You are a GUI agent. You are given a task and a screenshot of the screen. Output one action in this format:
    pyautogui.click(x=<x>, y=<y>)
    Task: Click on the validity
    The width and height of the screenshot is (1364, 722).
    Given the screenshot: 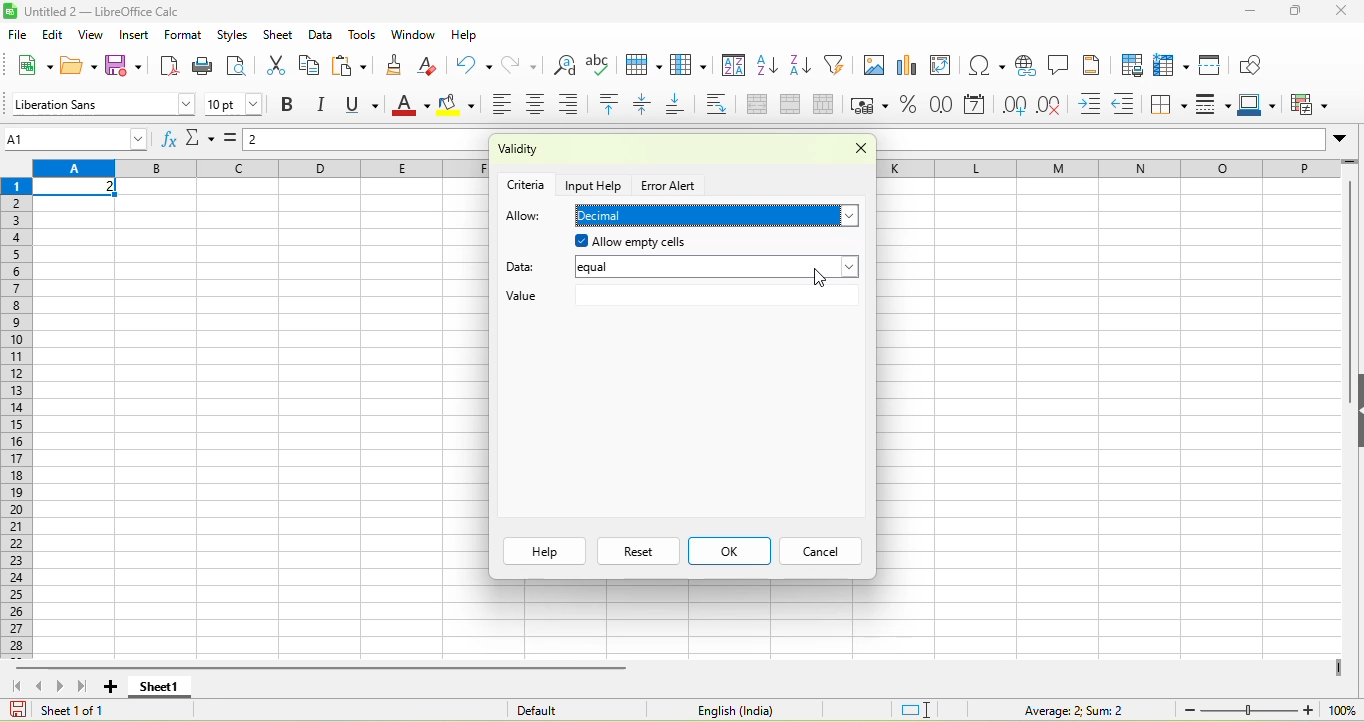 What is the action you would take?
    pyautogui.click(x=572, y=151)
    